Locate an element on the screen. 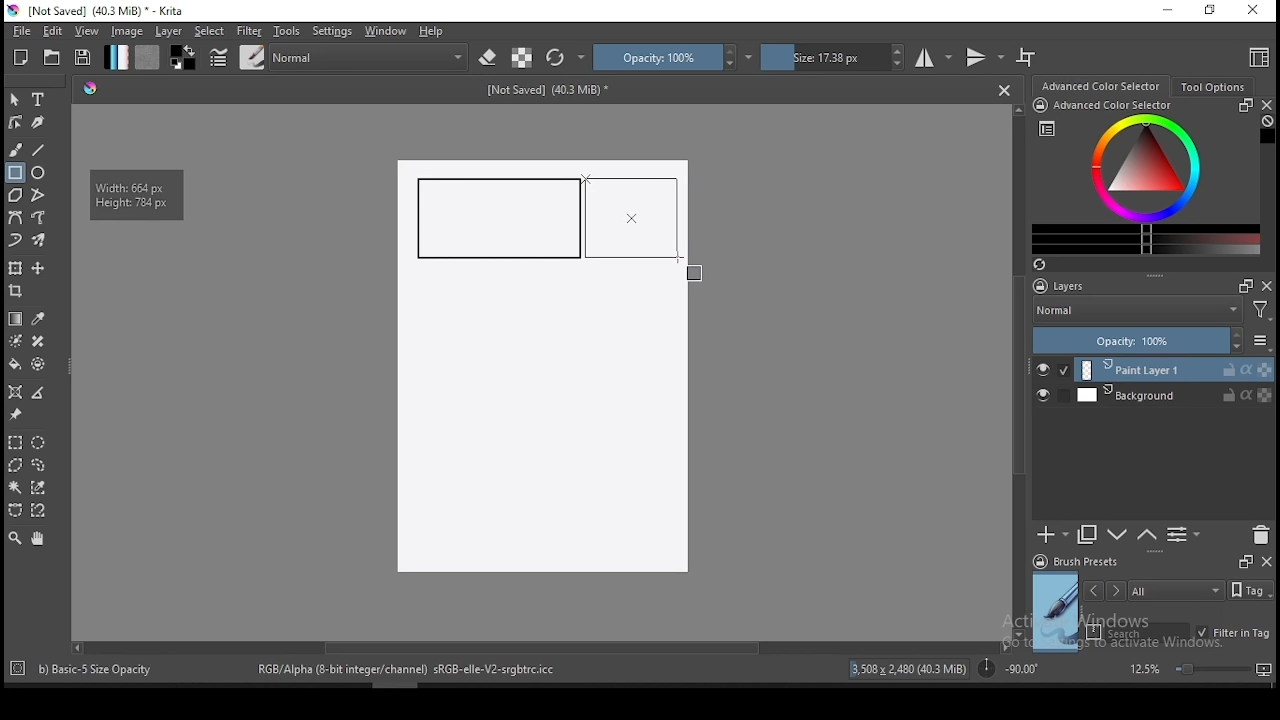 This screenshot has height=720, width=1280. reload original preset is located at coordinates (566, 57).